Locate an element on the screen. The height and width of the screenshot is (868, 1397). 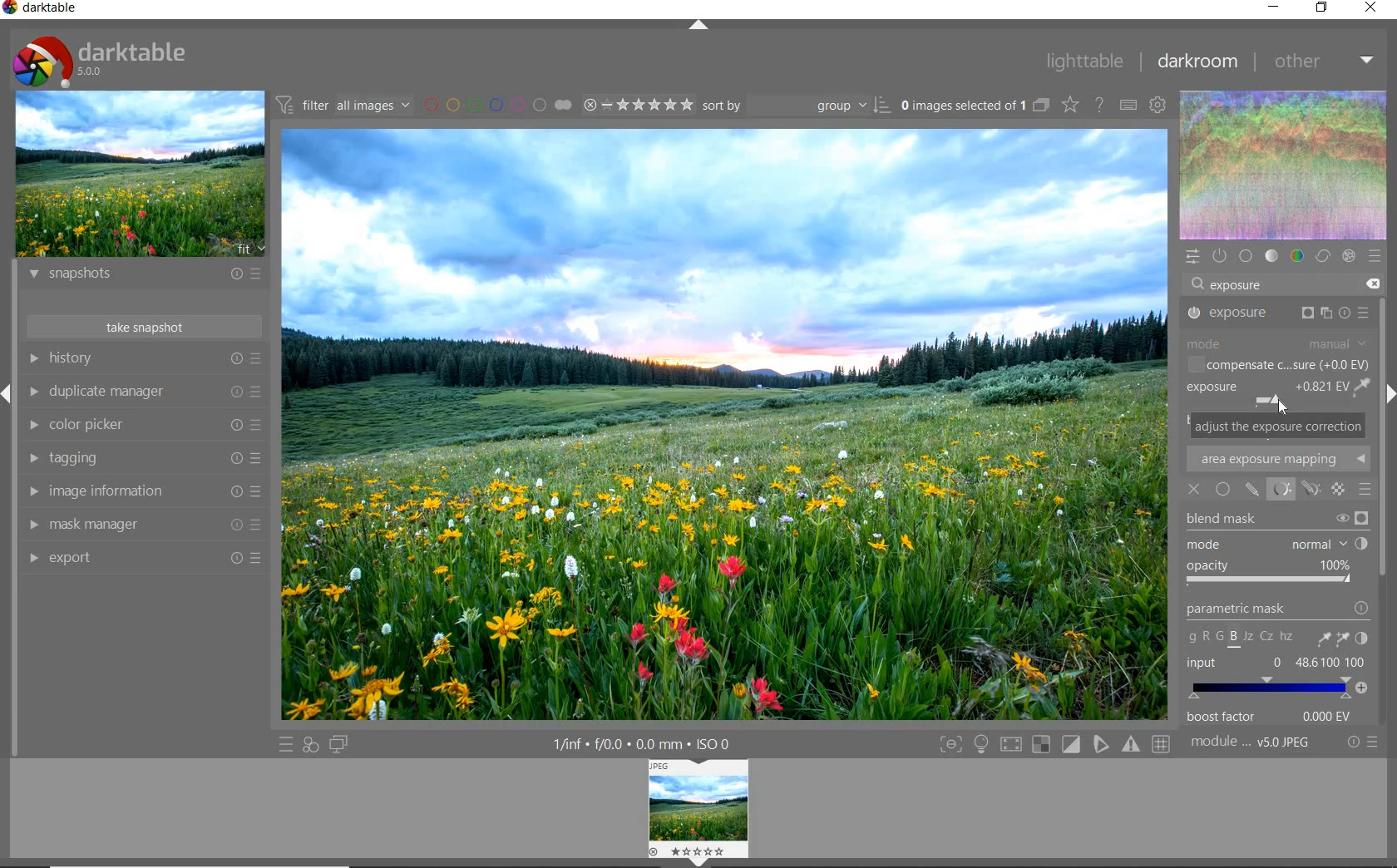
set keyboard shortcuts is located at coordinates (1129, 106).